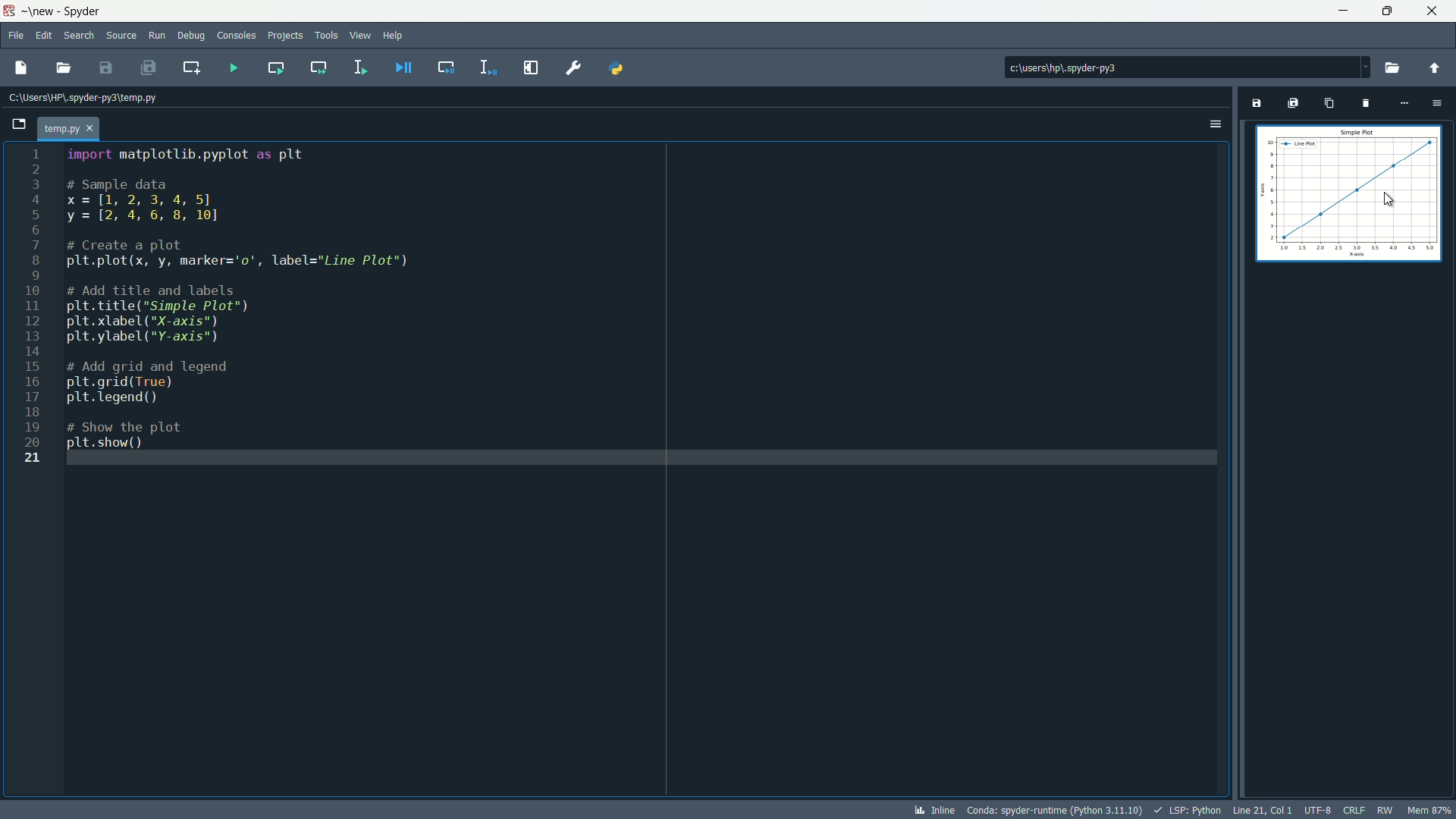 The width and height of the screenshot is (1456, 819). I want to click on inline, so click(934, 810).